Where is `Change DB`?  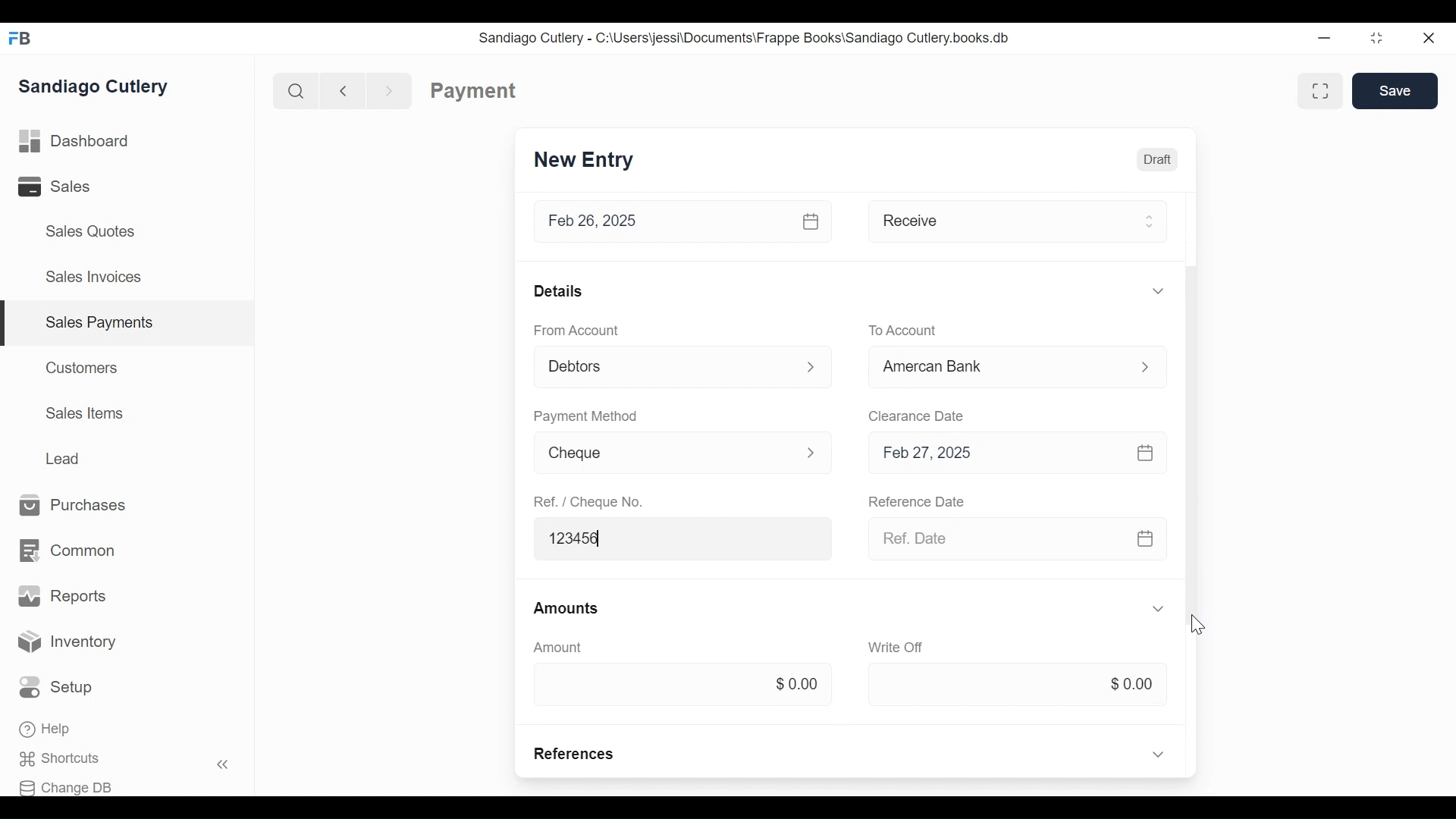
Change DB is located at coordinates (71, 786).